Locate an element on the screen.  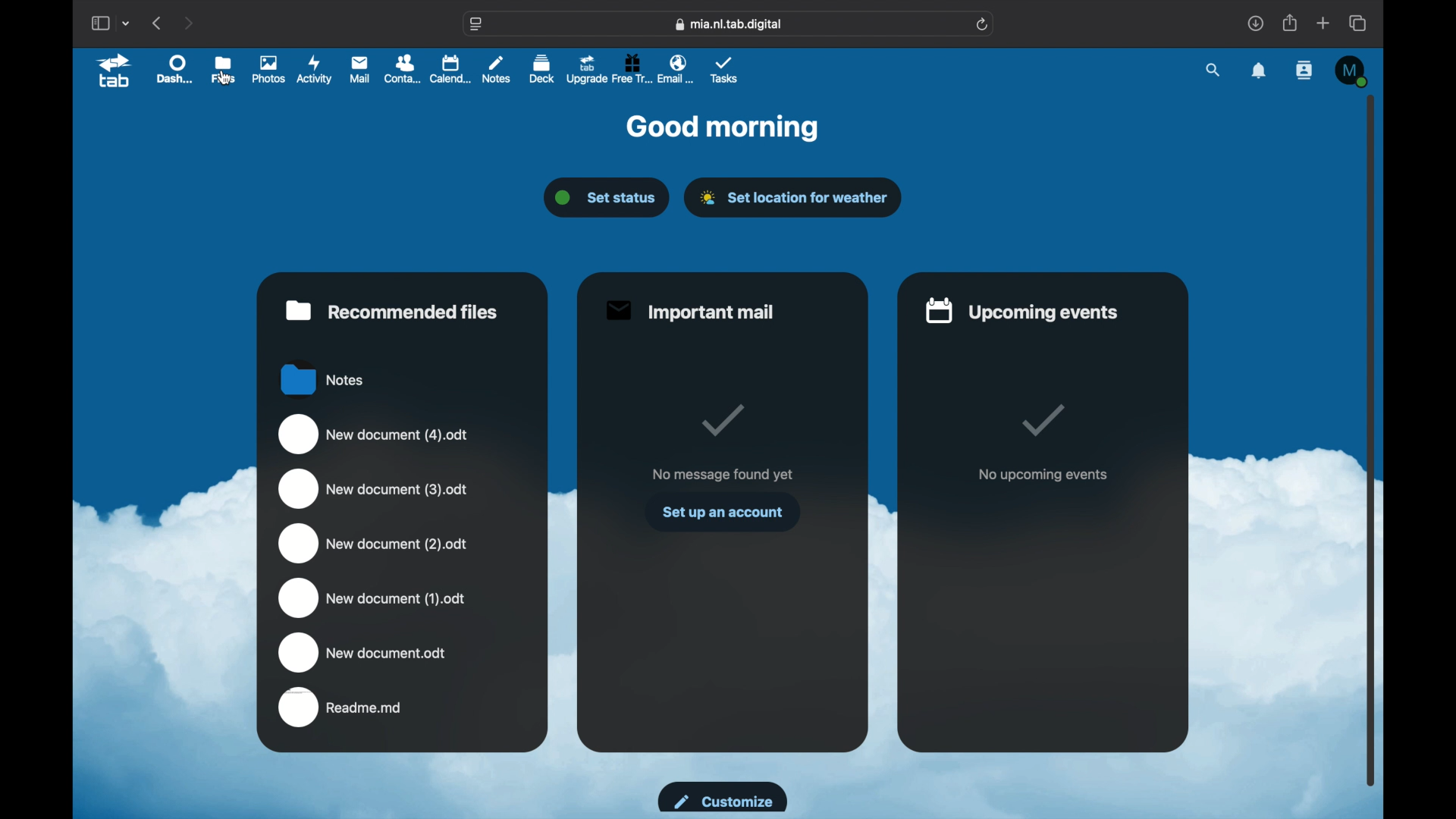
search is located at coordinates (1213, 71).